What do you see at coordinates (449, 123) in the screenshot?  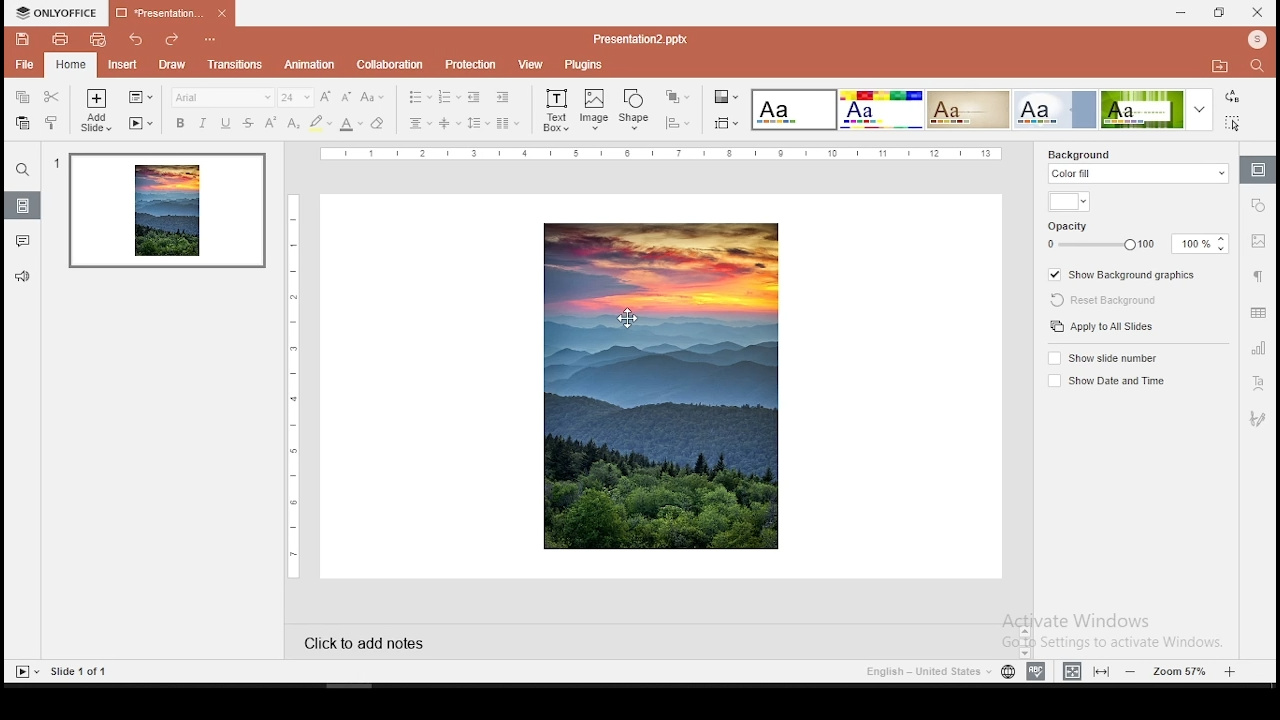 I see `vertical alignment` at bounding box center [449, 123].